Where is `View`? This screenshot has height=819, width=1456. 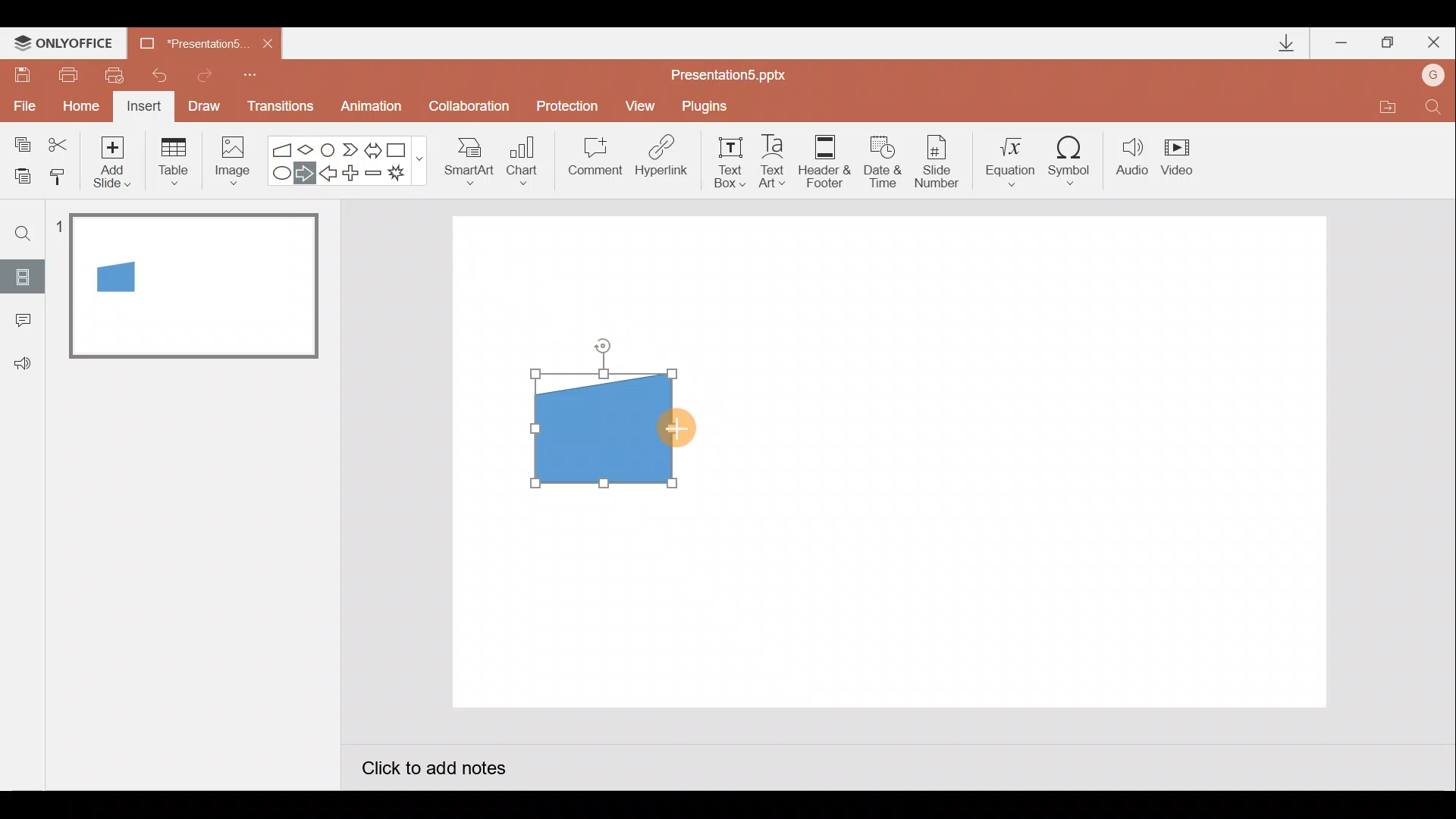
View is located at coordinates (642, 105).